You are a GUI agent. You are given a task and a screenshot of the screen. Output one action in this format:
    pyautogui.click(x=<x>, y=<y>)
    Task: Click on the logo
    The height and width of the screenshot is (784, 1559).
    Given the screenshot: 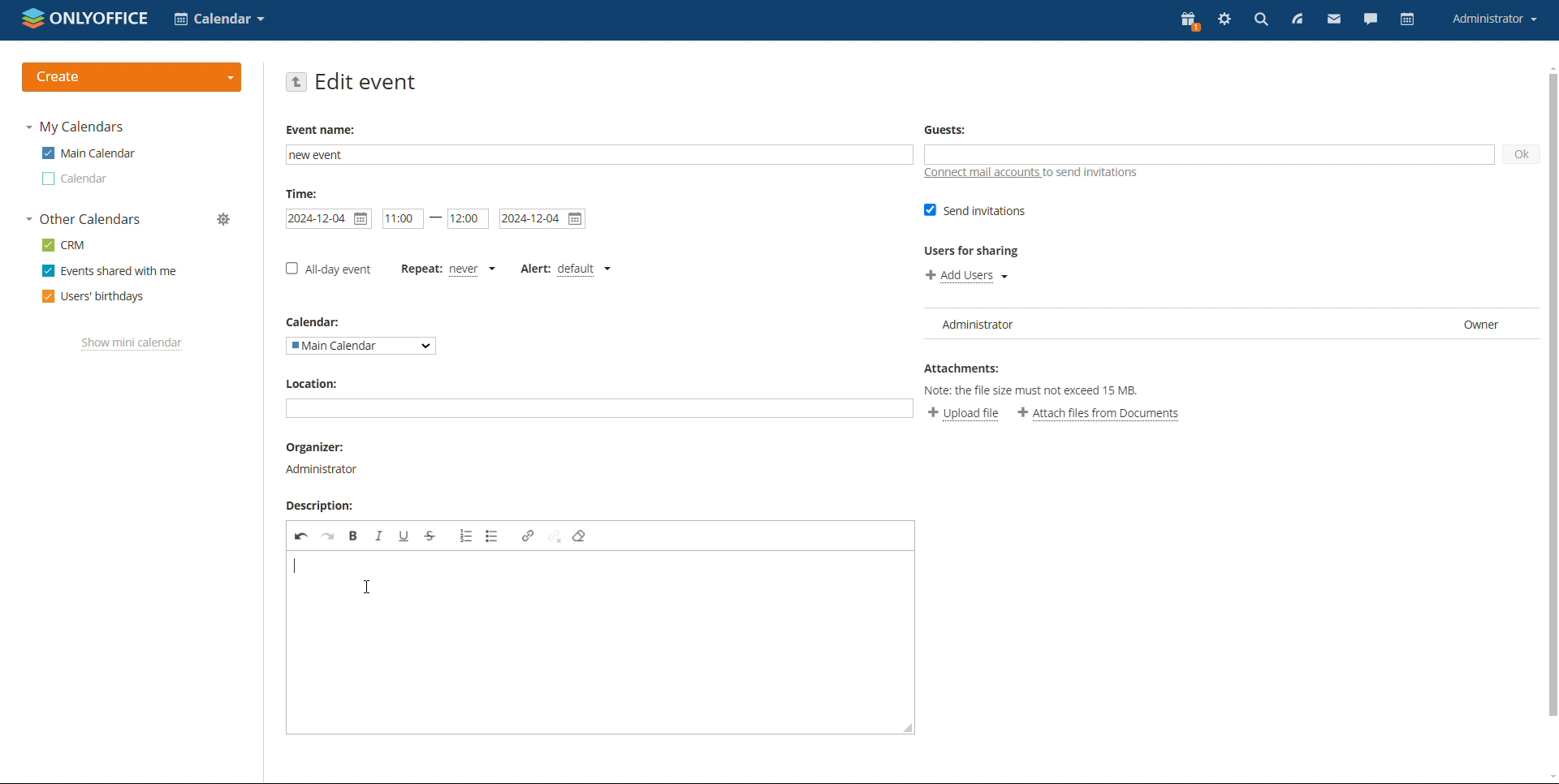 What is the action you would take?
    pyautogui.click(x=85, y=19)
    